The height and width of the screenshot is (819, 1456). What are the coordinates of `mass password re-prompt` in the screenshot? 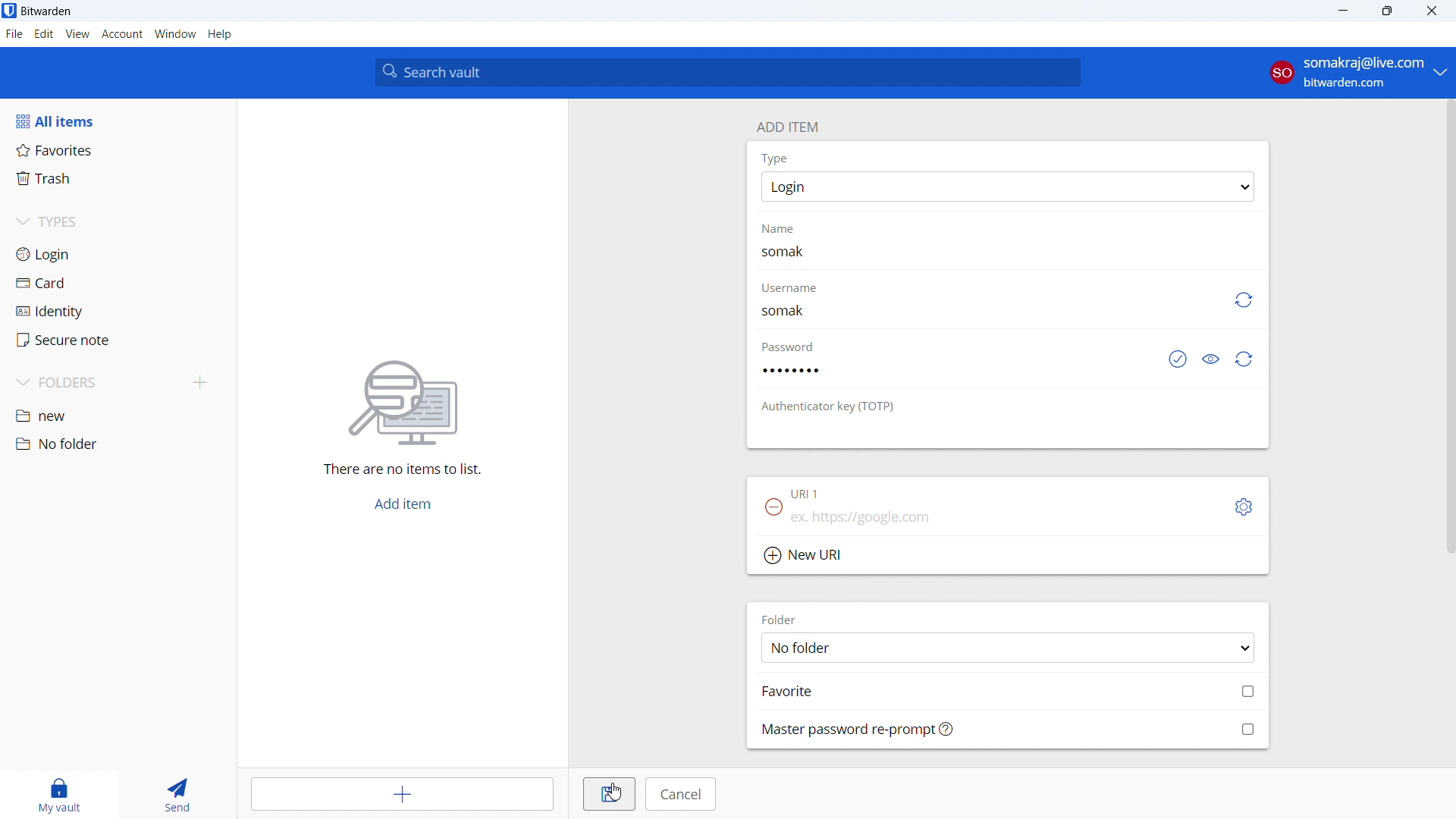 It's located at (1009, 729).